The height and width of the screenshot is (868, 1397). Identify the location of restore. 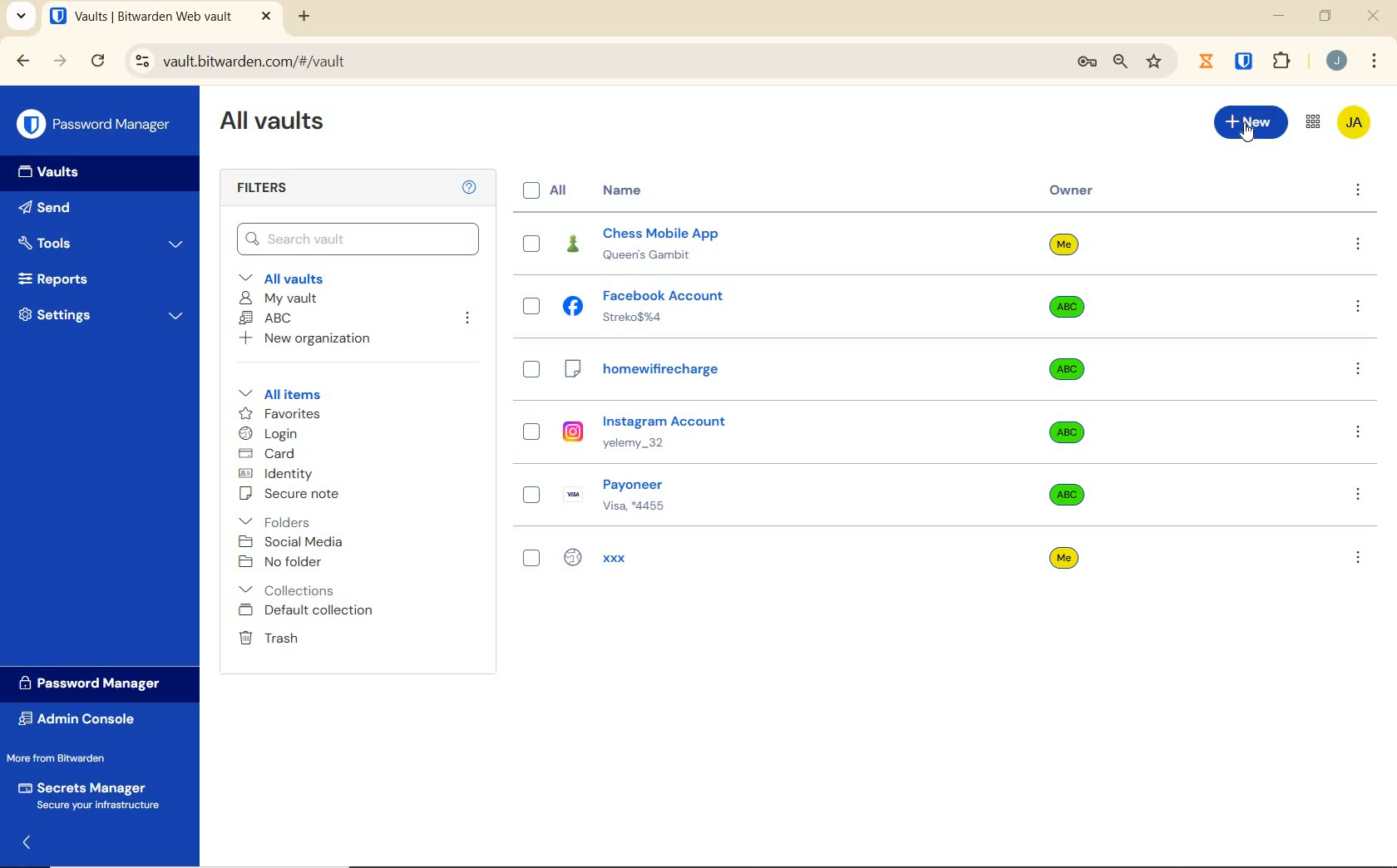
(1325, 16).